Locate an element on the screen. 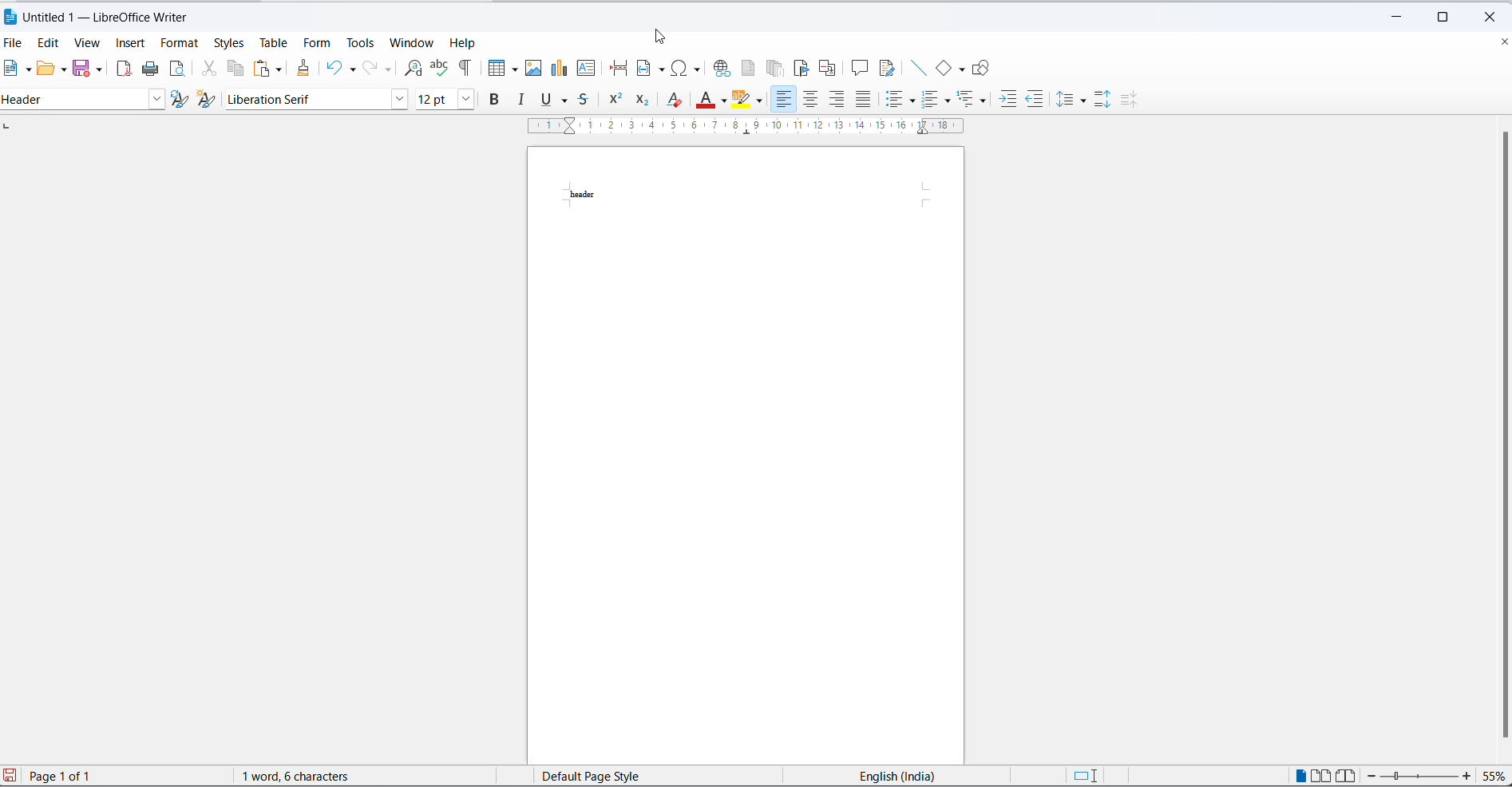  select outline format is located at coordinates (975, 101).